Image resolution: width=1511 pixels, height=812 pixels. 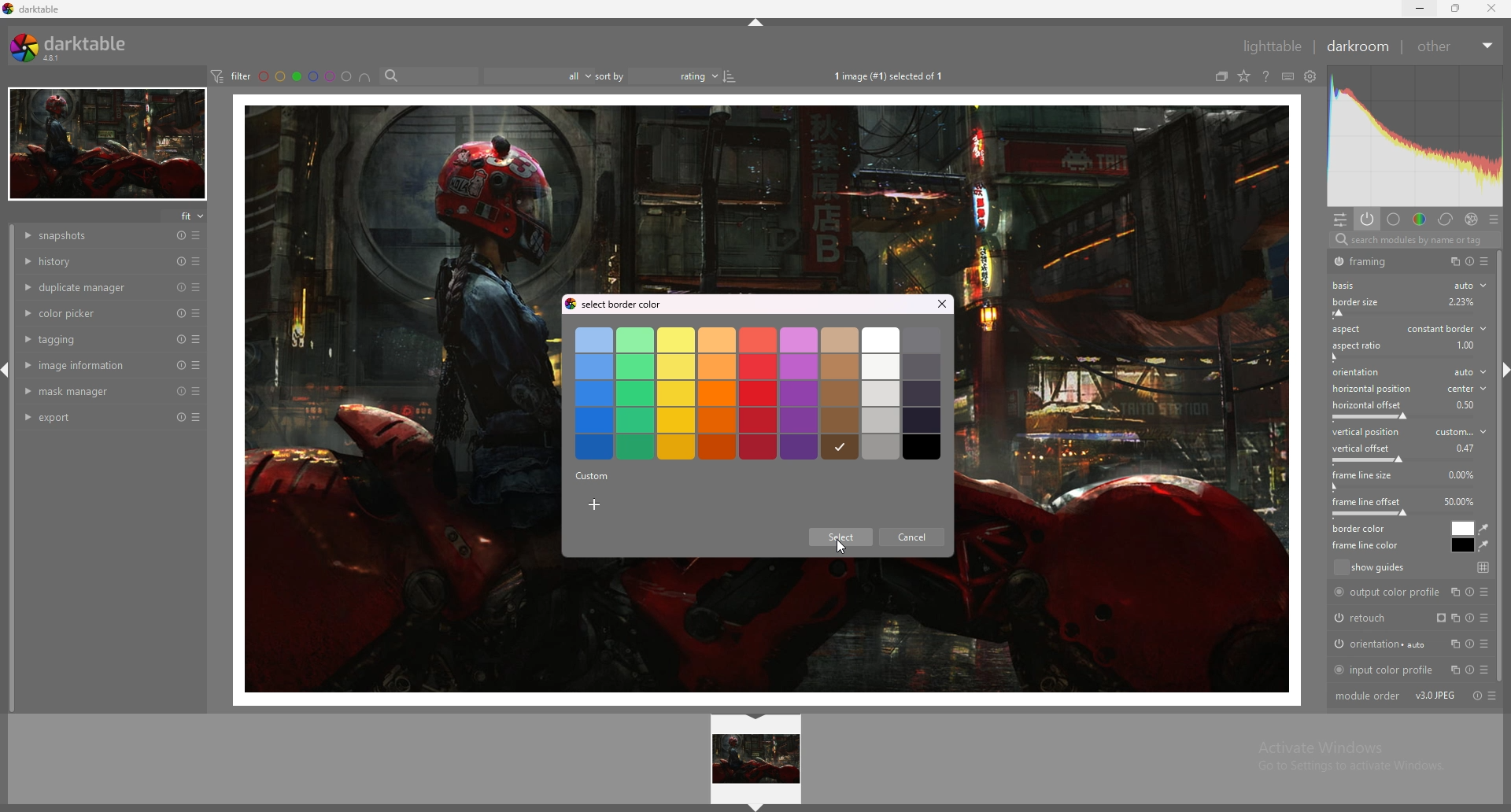 I want to click on presets, so click(x=198, y=313).